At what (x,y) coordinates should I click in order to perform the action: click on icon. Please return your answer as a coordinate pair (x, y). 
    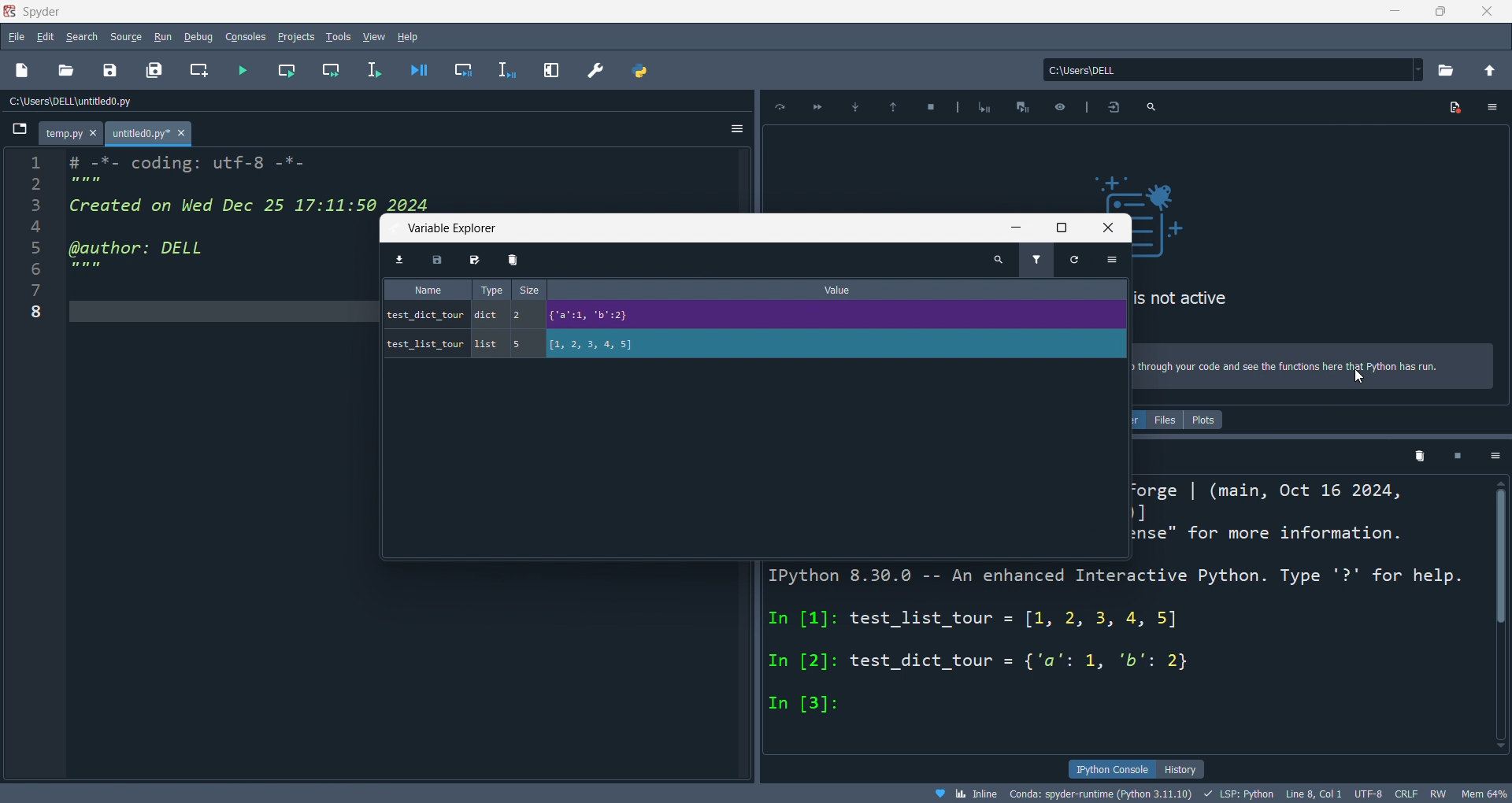
    Looking at the image, I should click on (982, 109).